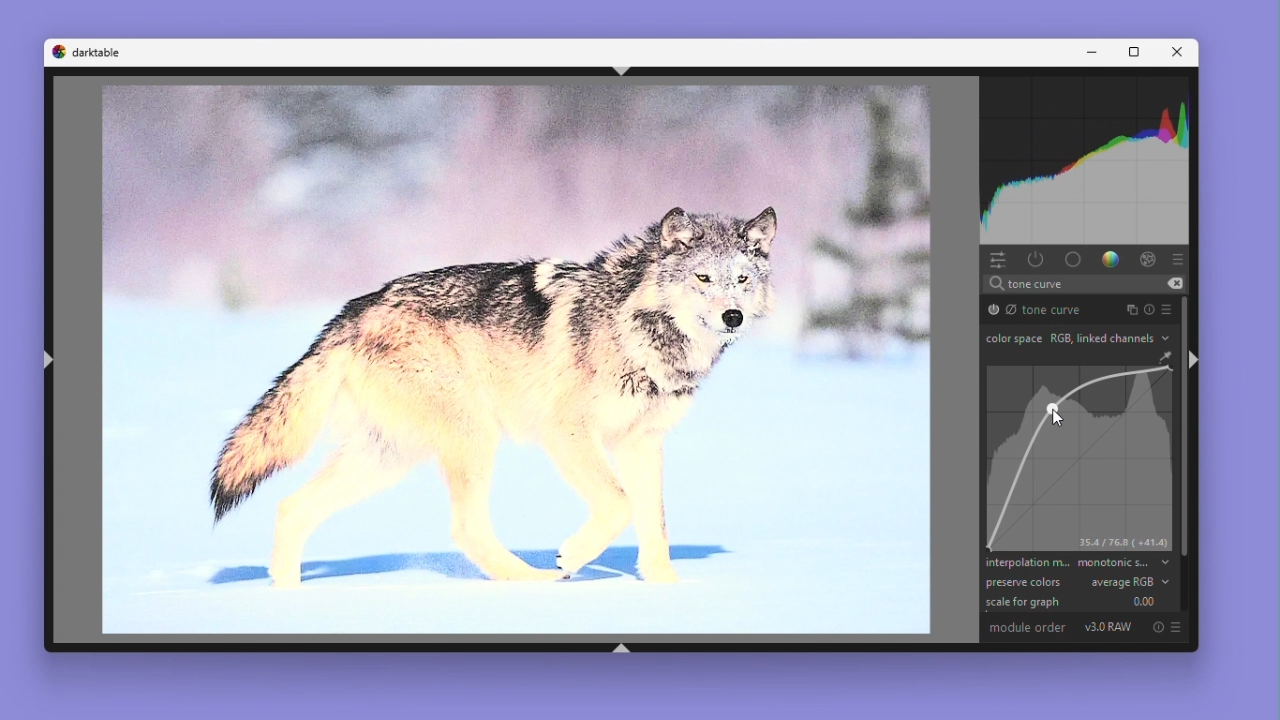 The image size is (1280, 720). Describe the element at coordinates (1091, 52) in the screenshot. I see `Minimise` at that location.